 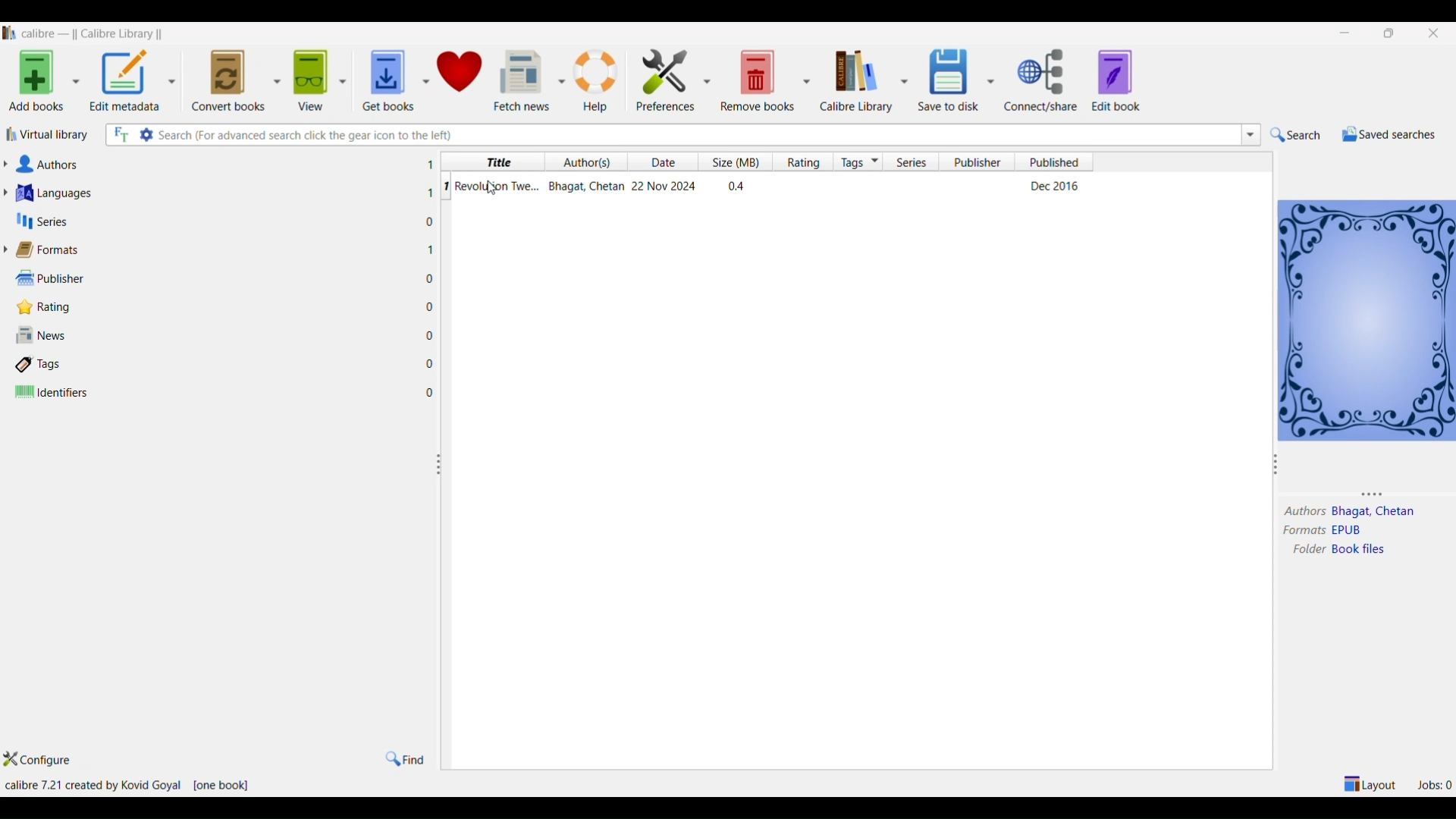 What do you see at coordinates (430, 363) in the screenshot?
I see `0` at bounding box center [430, 363].